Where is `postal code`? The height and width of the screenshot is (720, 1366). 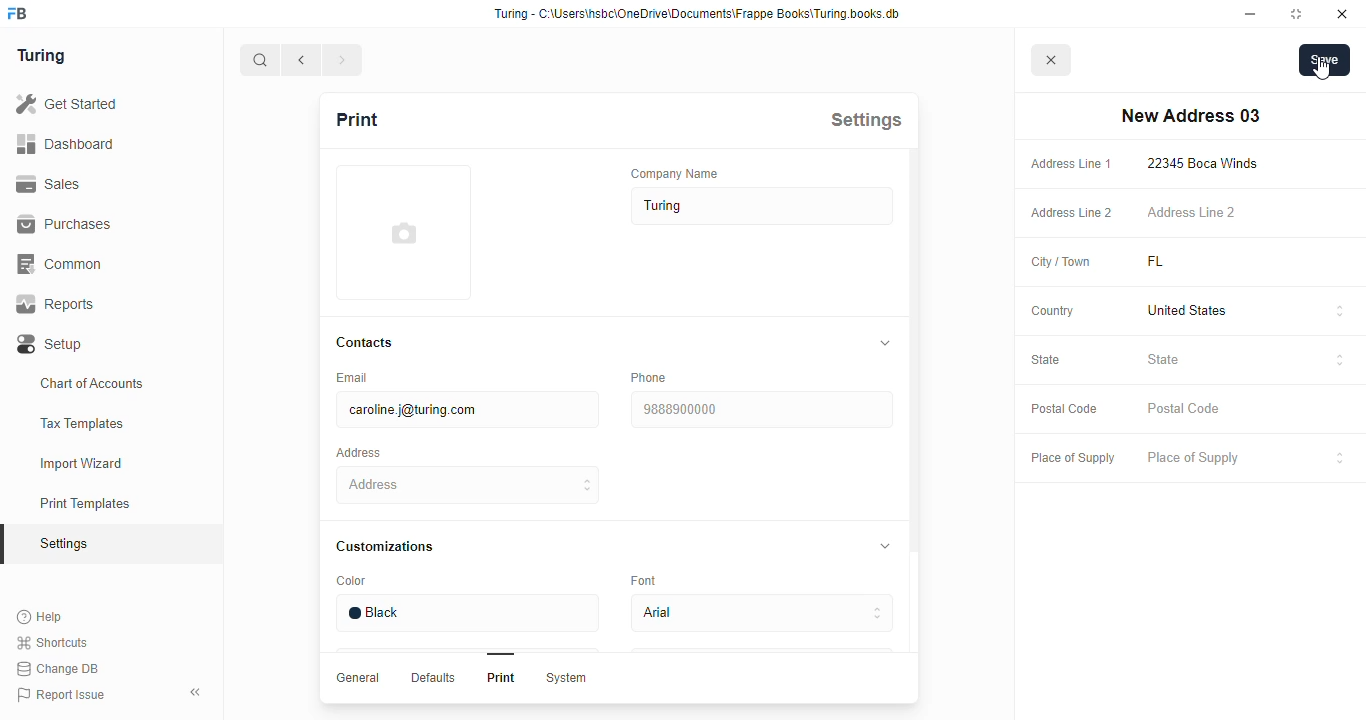 postal code is located at coordinates (1185, 409).